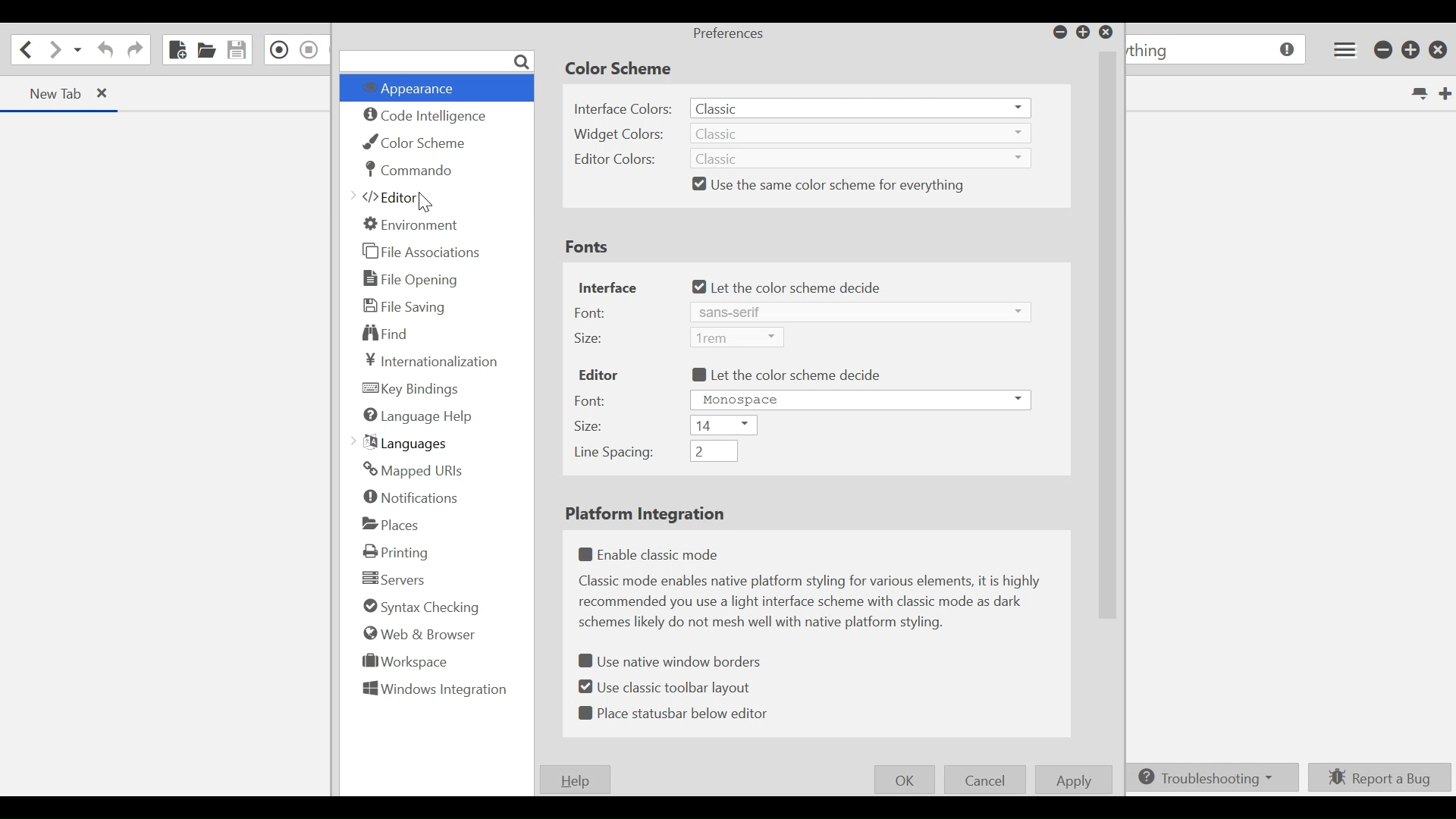  Describe the element at coordinates (785, 375) in the screenshot. I see `let the color scheme decide` at that location.